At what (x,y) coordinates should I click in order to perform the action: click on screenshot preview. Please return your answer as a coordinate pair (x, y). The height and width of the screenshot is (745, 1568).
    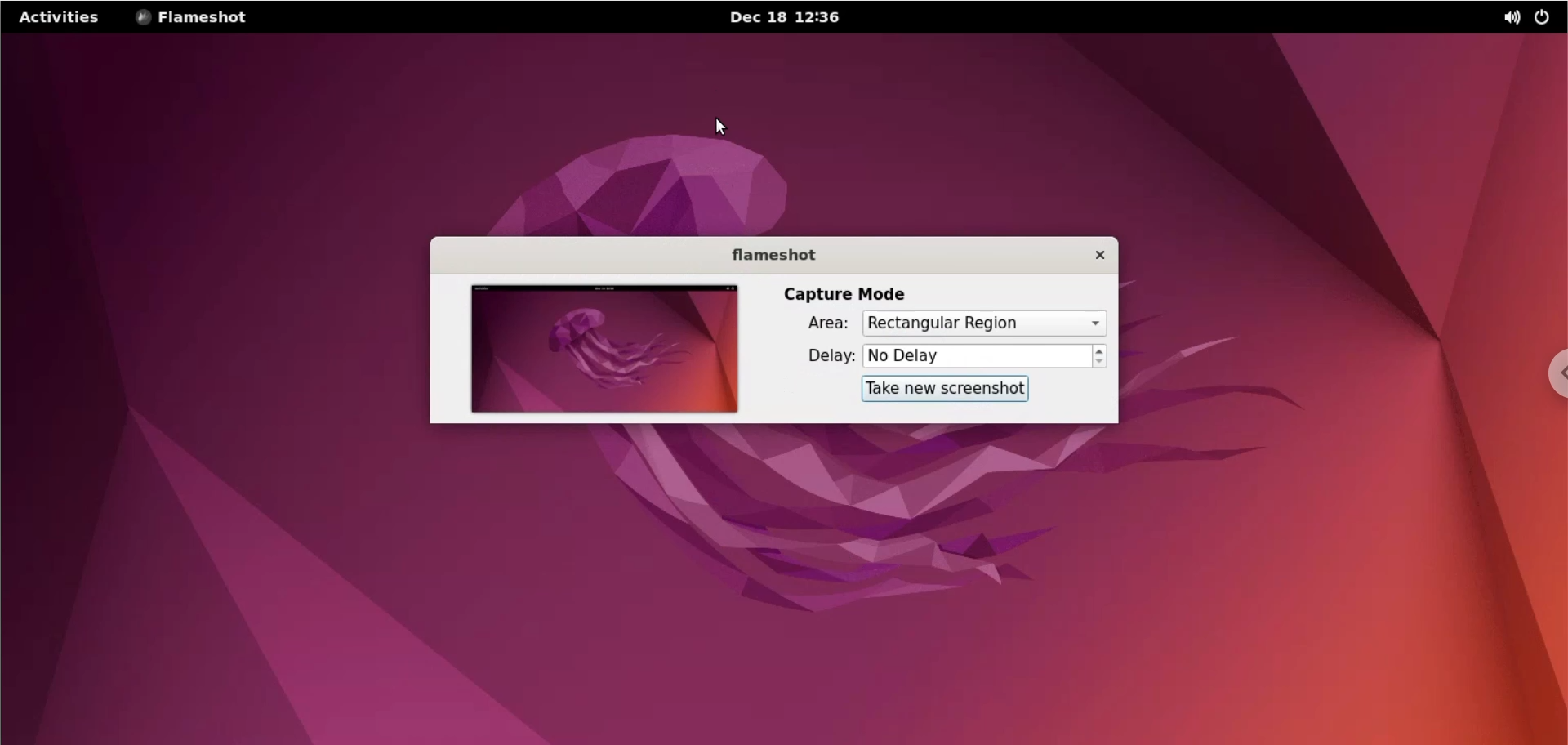
    Looking at the image, I should click on (609, 348).